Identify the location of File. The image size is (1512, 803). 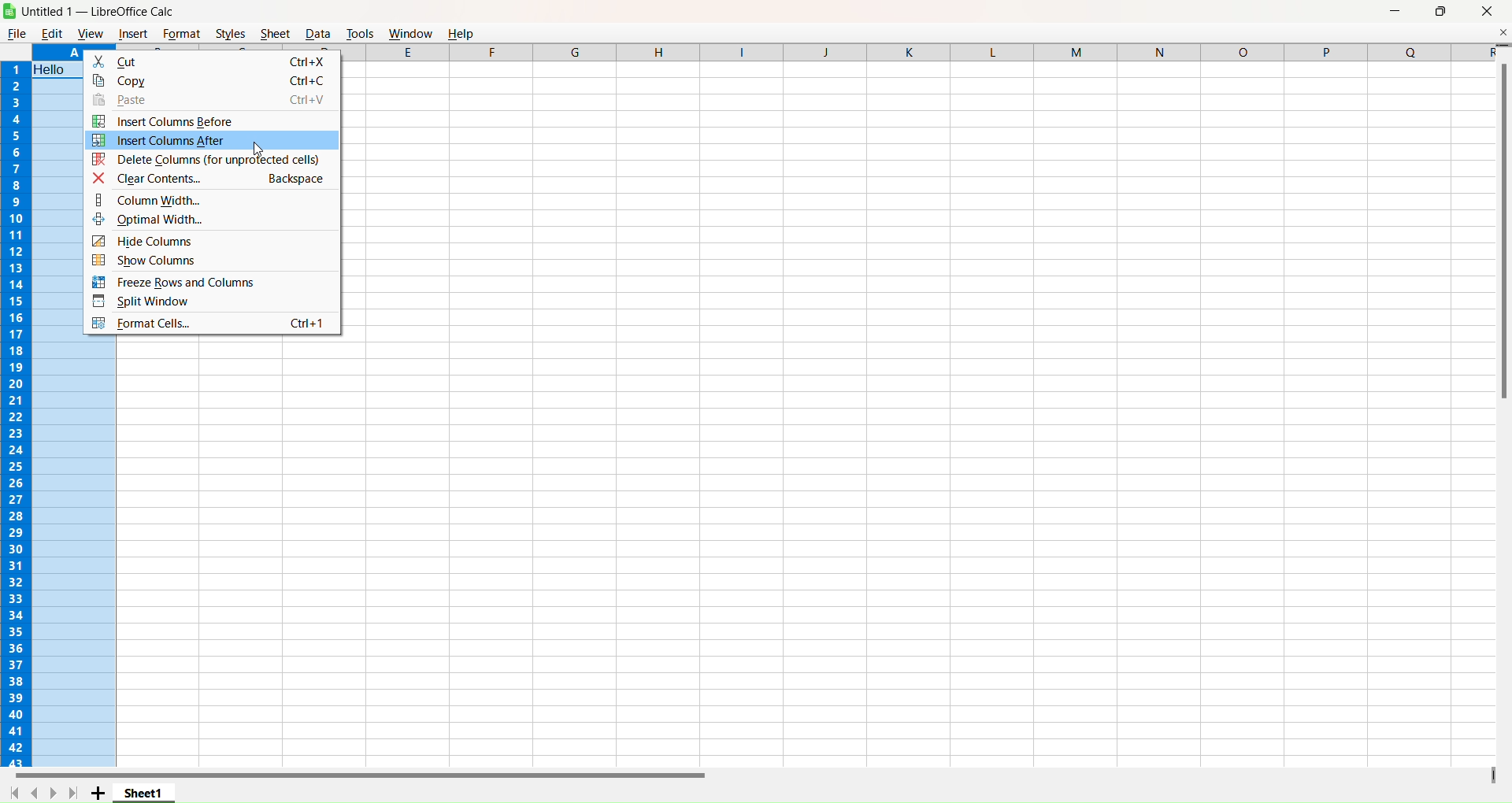
(17, 33).